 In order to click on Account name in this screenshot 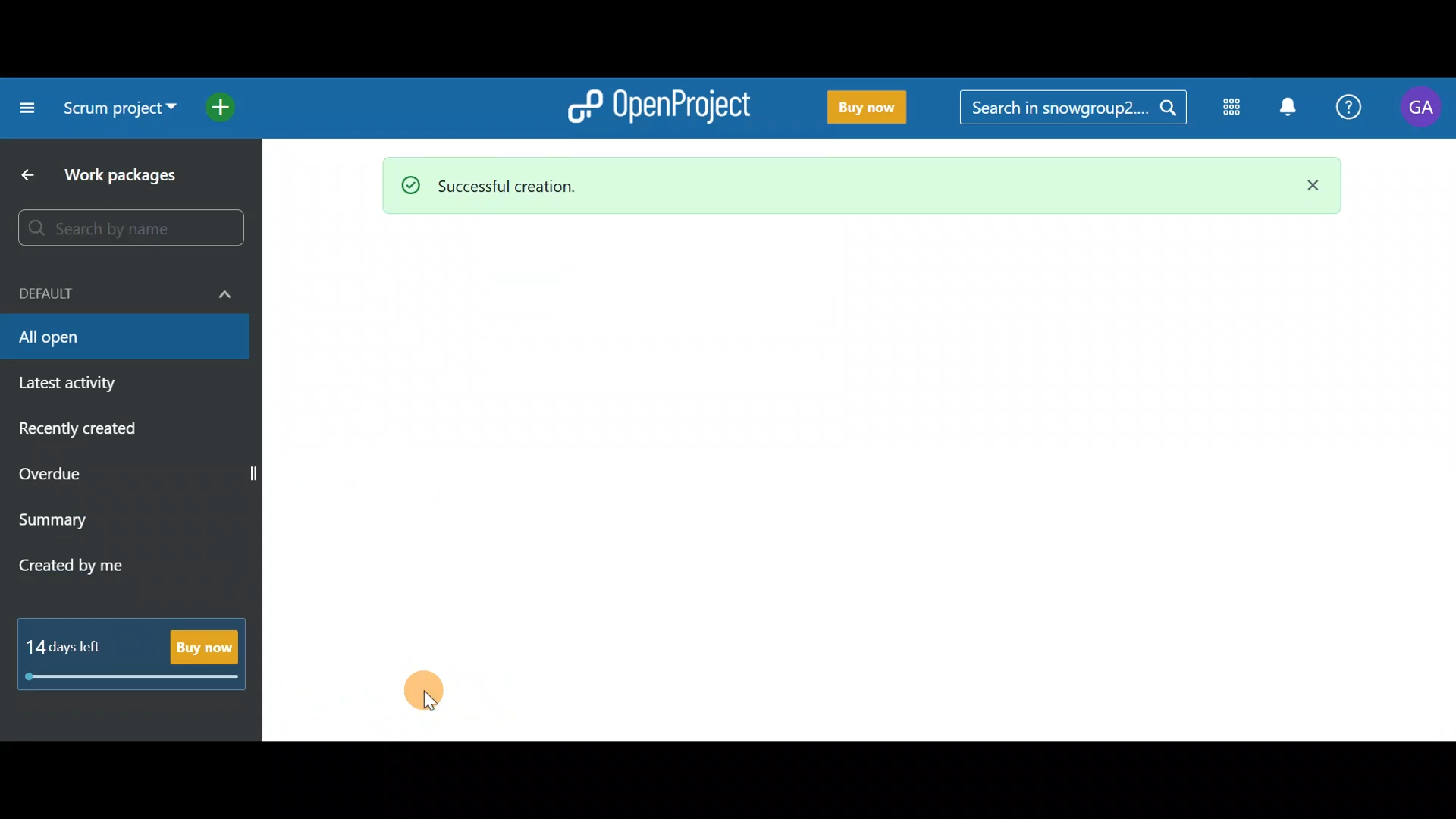, I will do `click(1421, 108)`.